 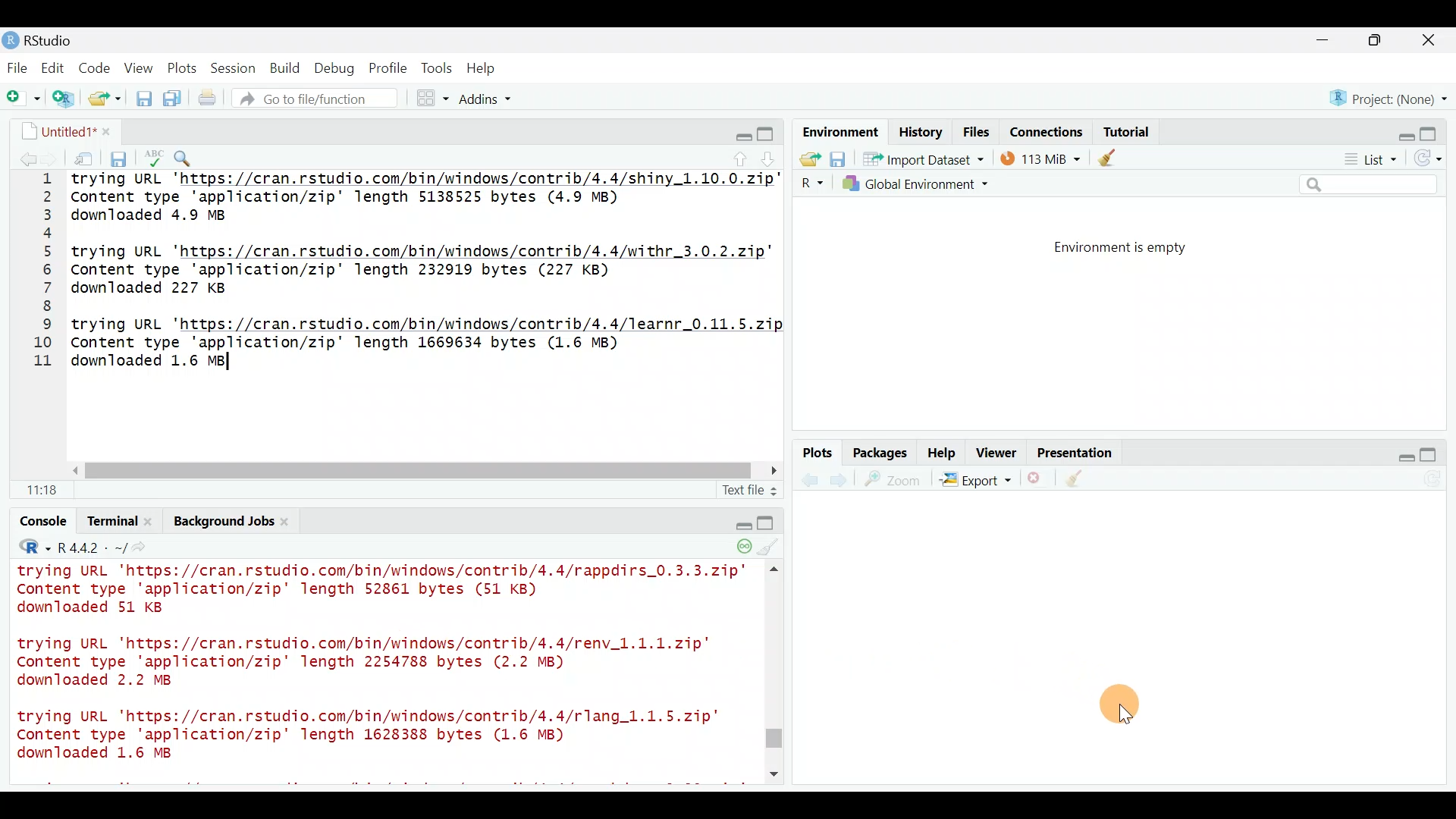 I want to click on Restore down, so click(x=1398, y=455).